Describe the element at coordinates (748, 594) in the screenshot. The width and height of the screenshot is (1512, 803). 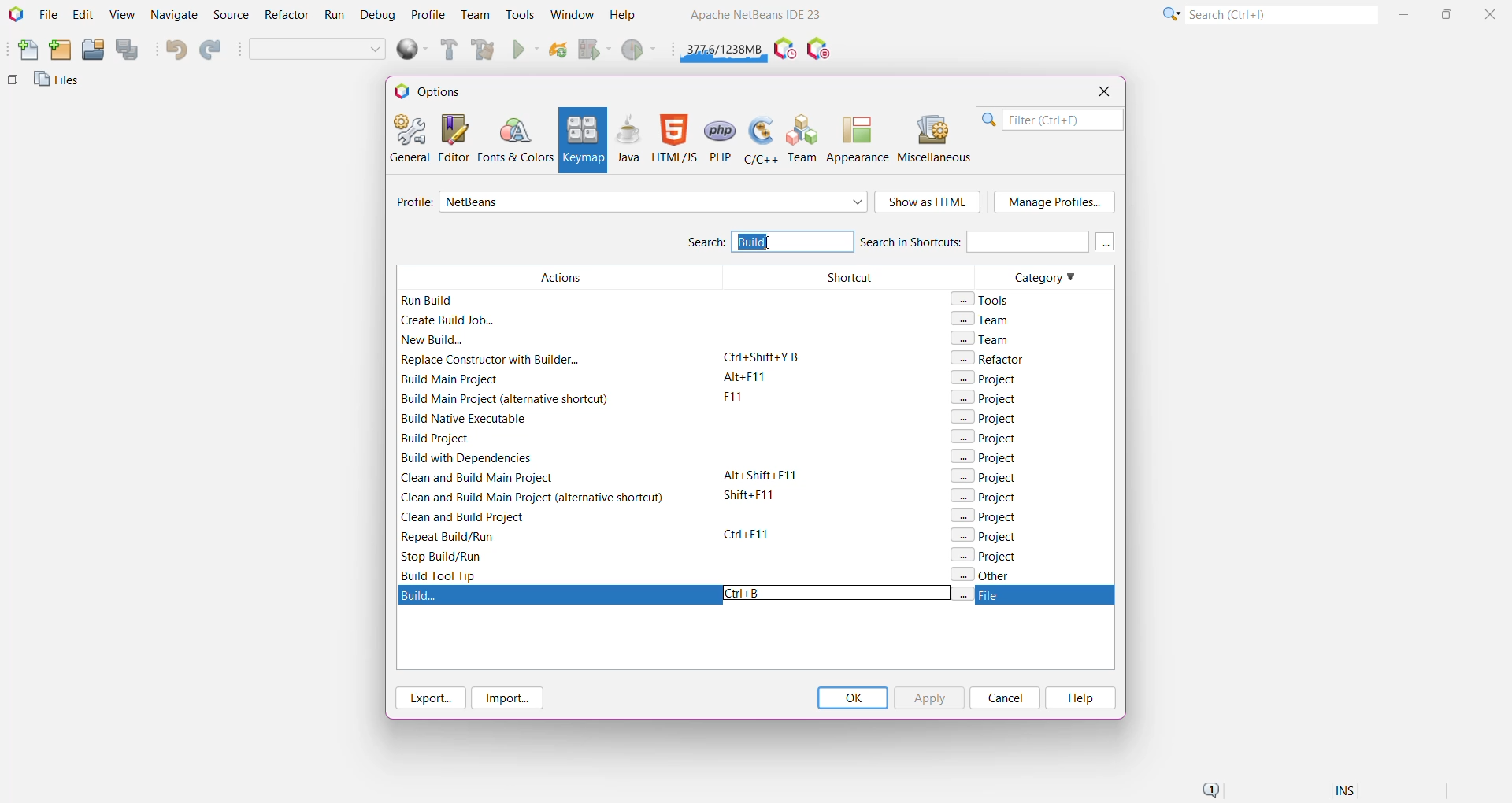
I see `Type the required 'shortcut' to set for the action` at that location.